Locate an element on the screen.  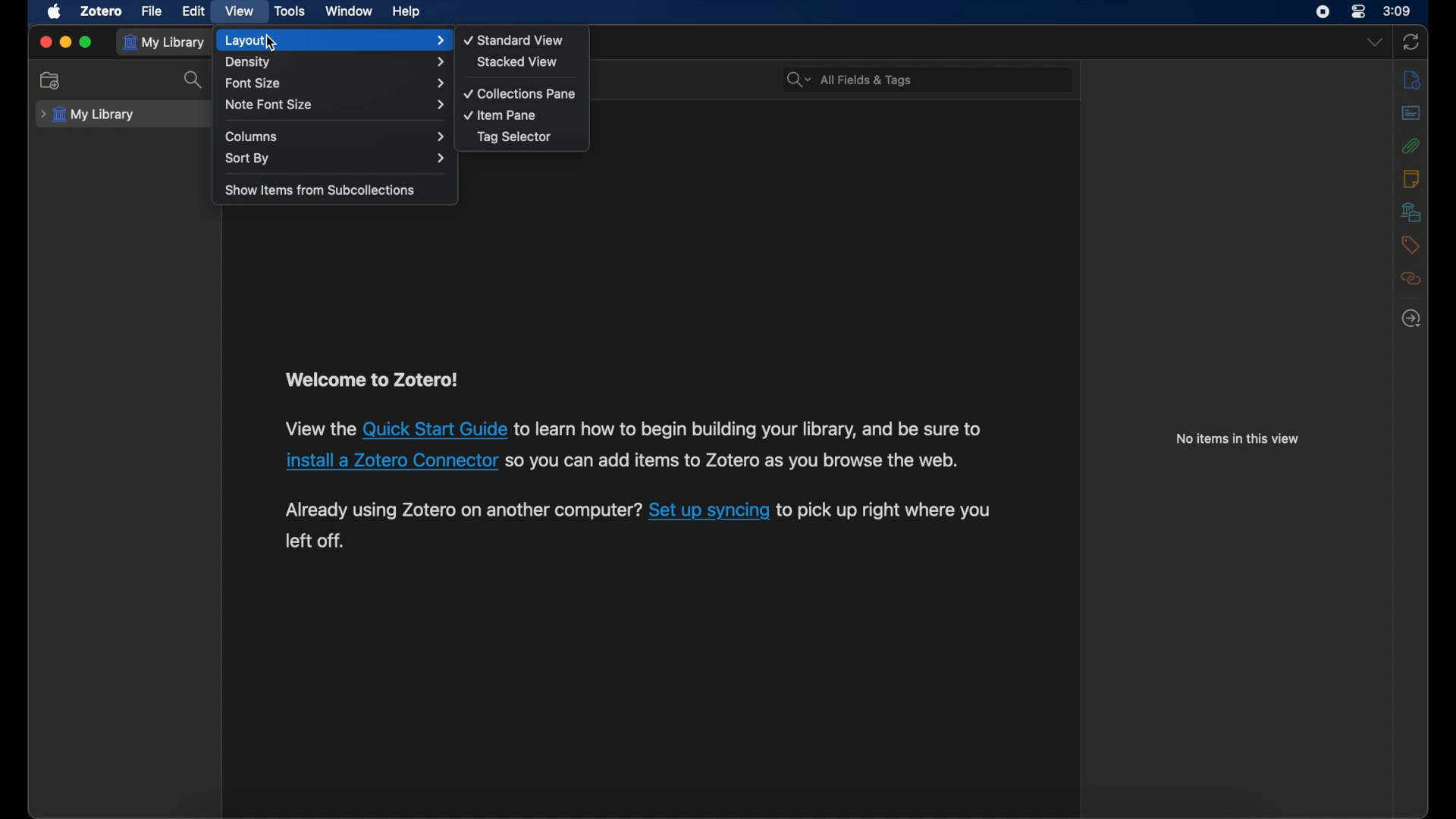
maximize is located at coordinates (86, 42).